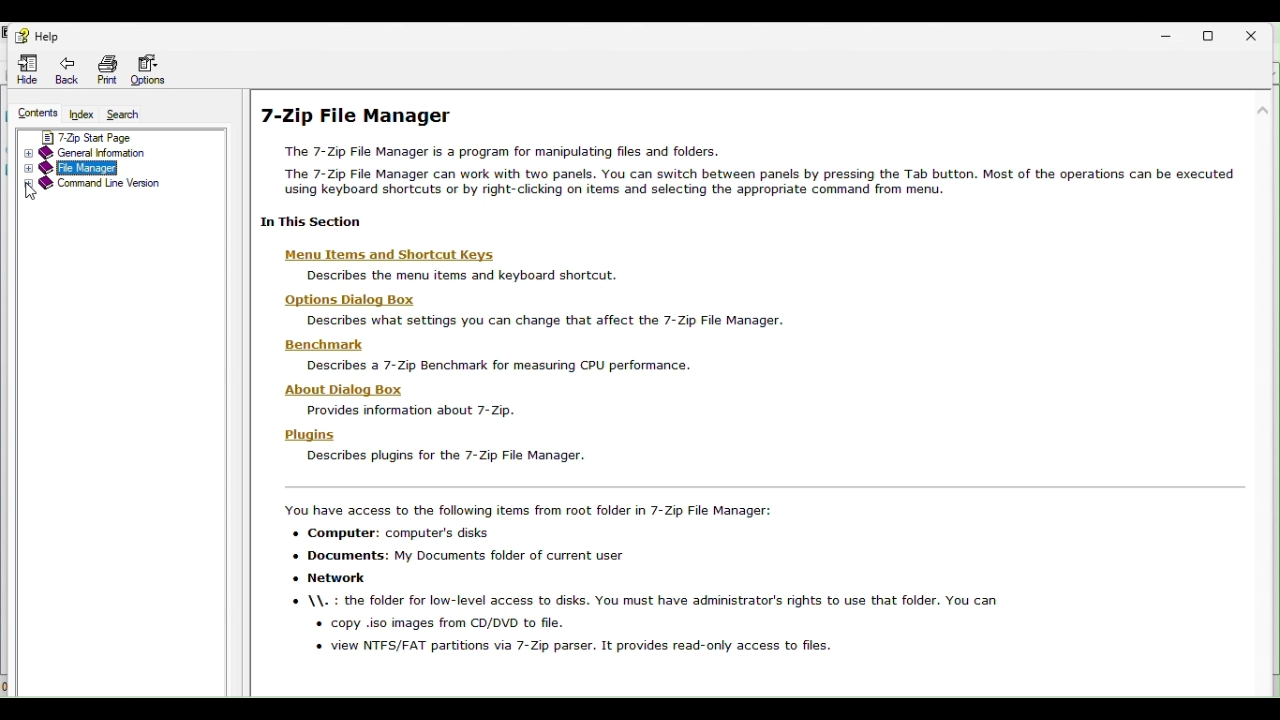 Image resolution: width=1280 pixels, height=720 pixels. I want to click on Cursor, so click(34, 192).